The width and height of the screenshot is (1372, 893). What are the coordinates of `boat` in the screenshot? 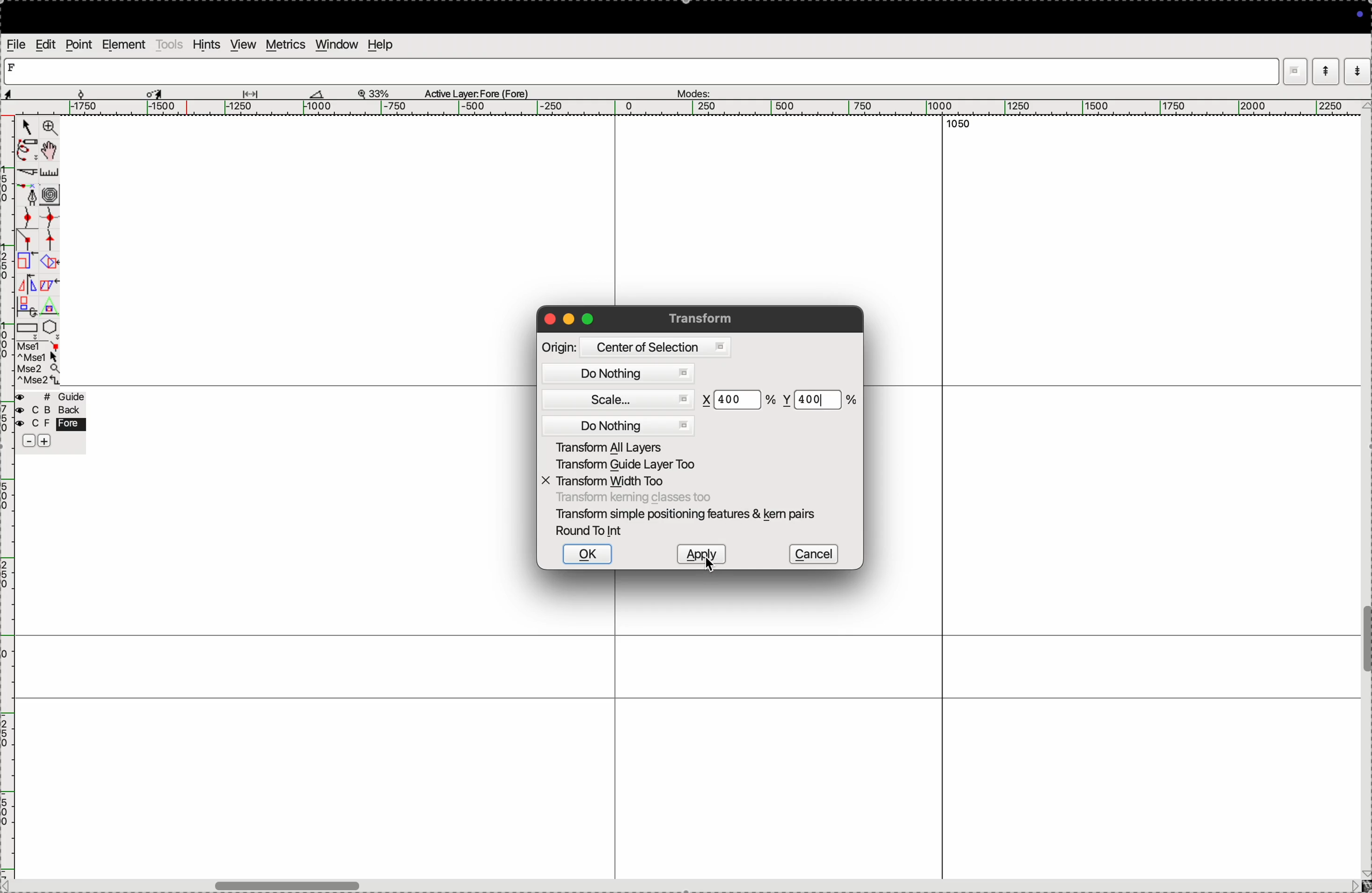 It's located at (322, 93).